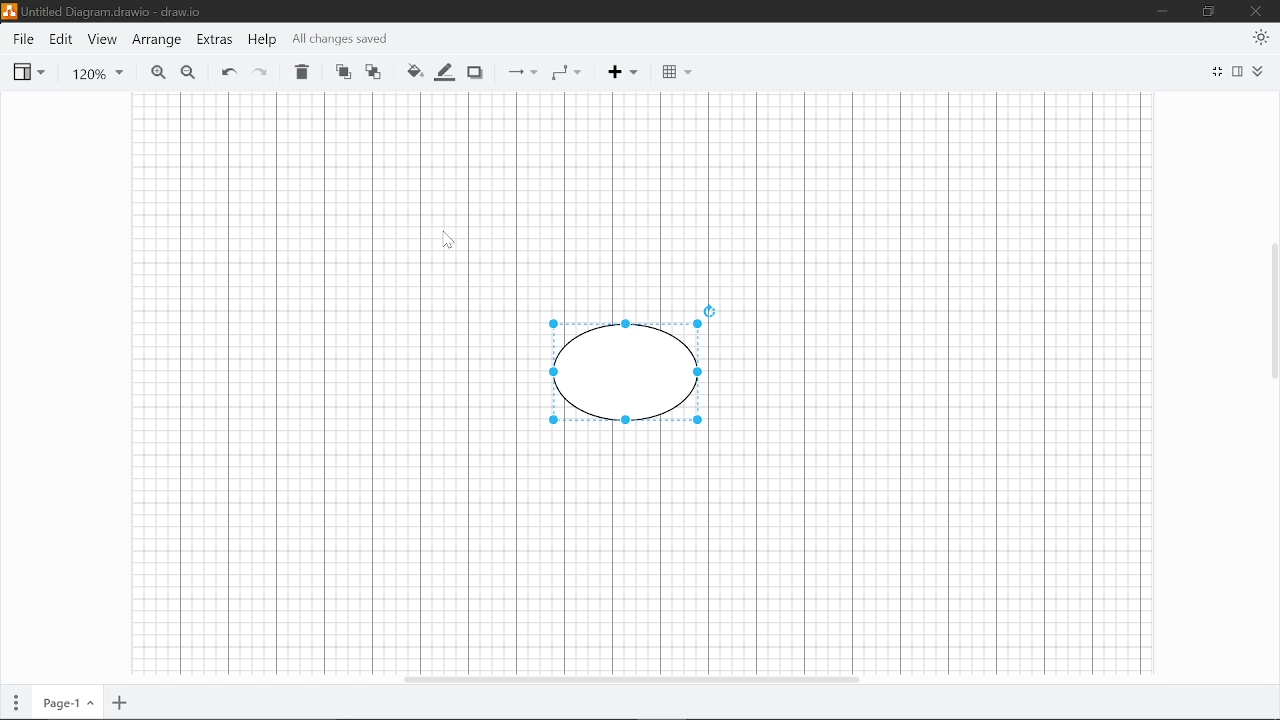 This screenshot has width=1280, height=720. I want to click on Blocks, so click(671, 73).